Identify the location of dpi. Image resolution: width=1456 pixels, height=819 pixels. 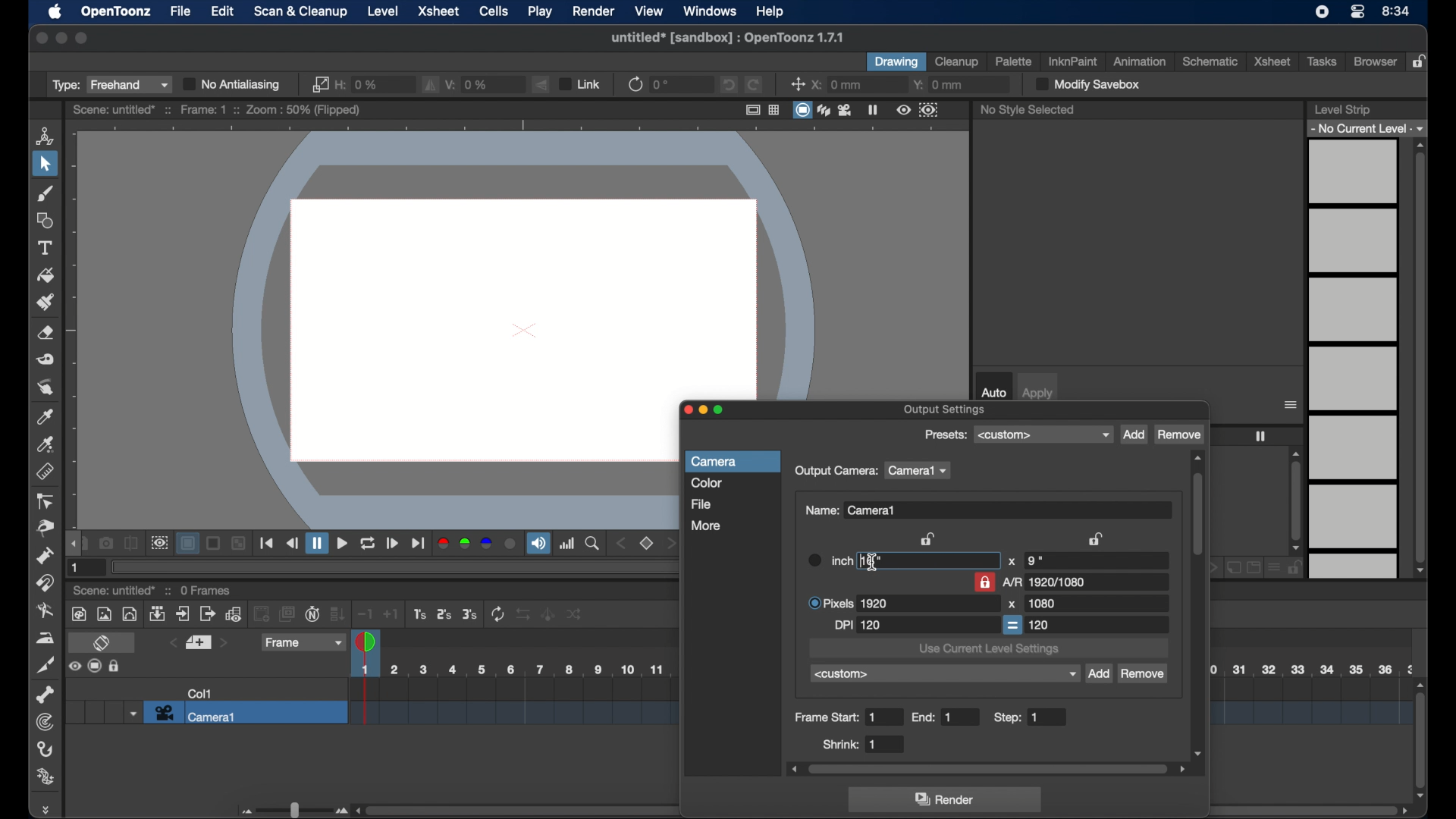
(858, 626).